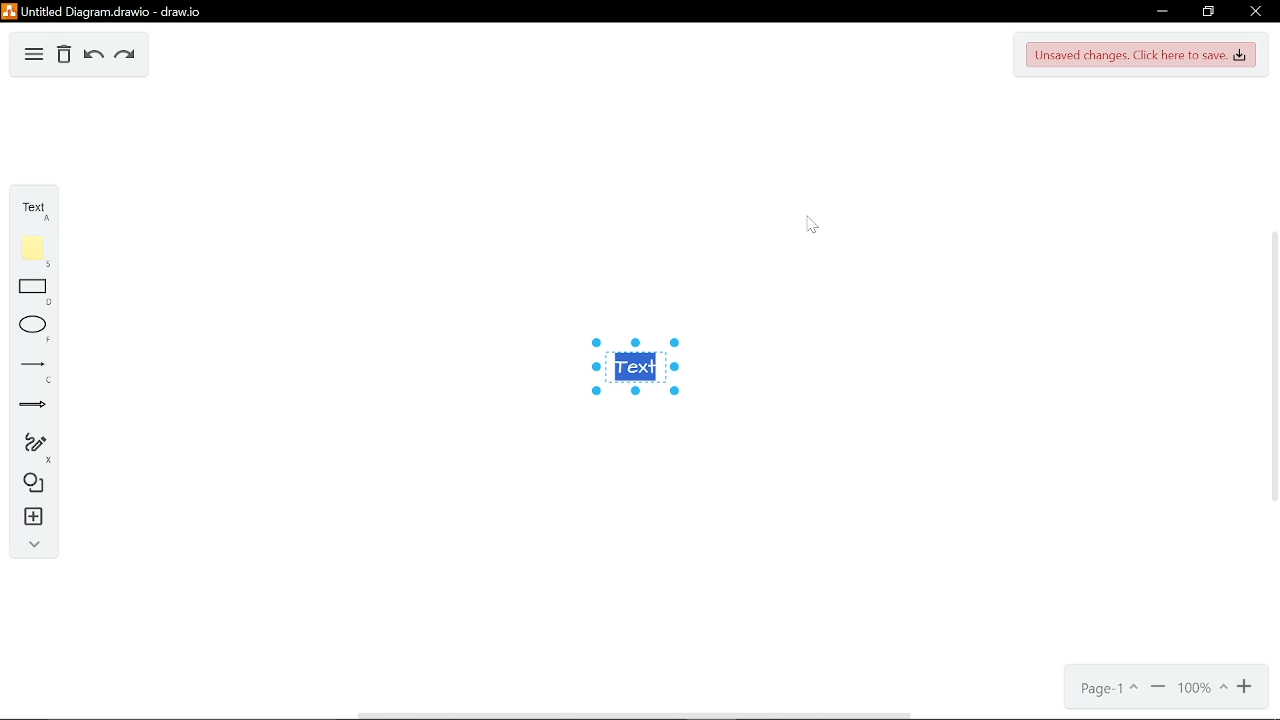 This screenshot has height=720, width=1280. Describe the element at coordinates (1144, 54) in the screenshot. I see `Unsaved changes. Click here to save` at that location.